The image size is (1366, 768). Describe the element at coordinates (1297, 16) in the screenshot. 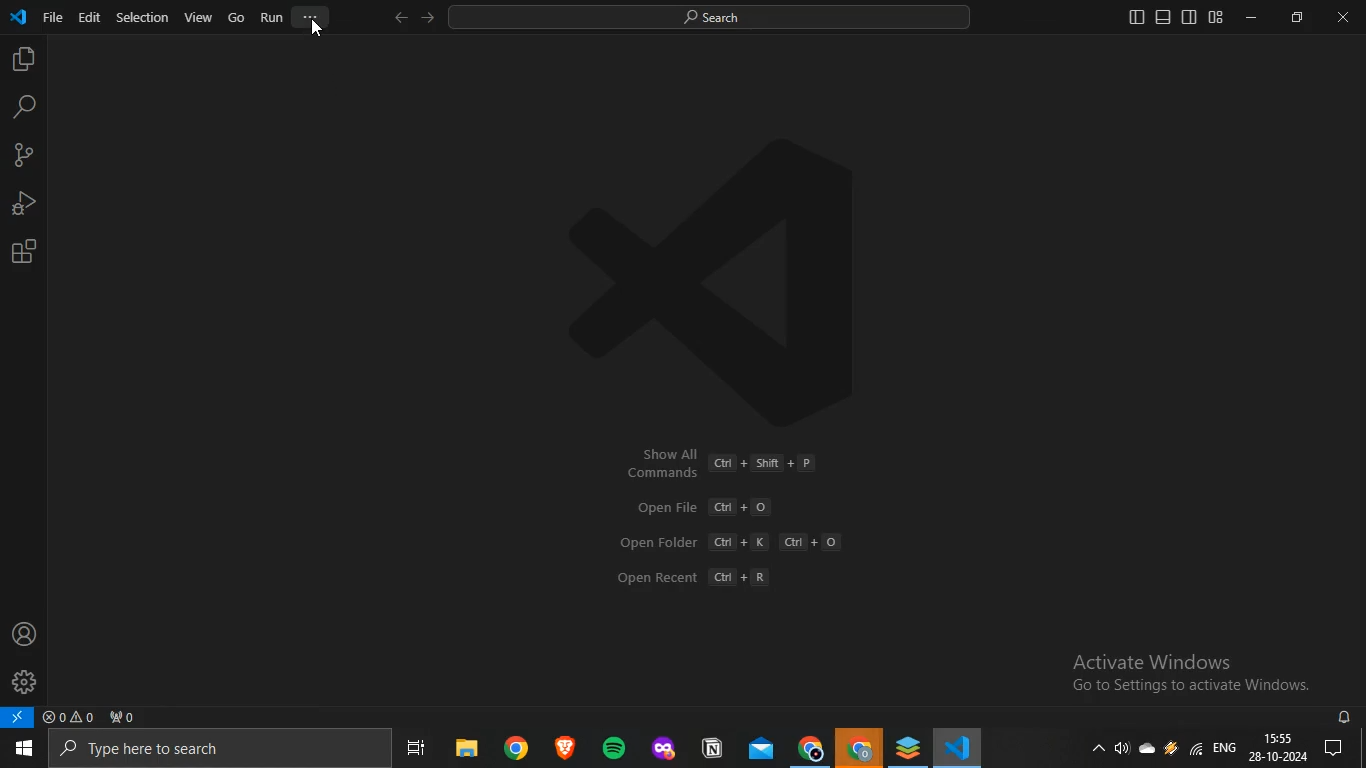

I see `restore window` at that location.